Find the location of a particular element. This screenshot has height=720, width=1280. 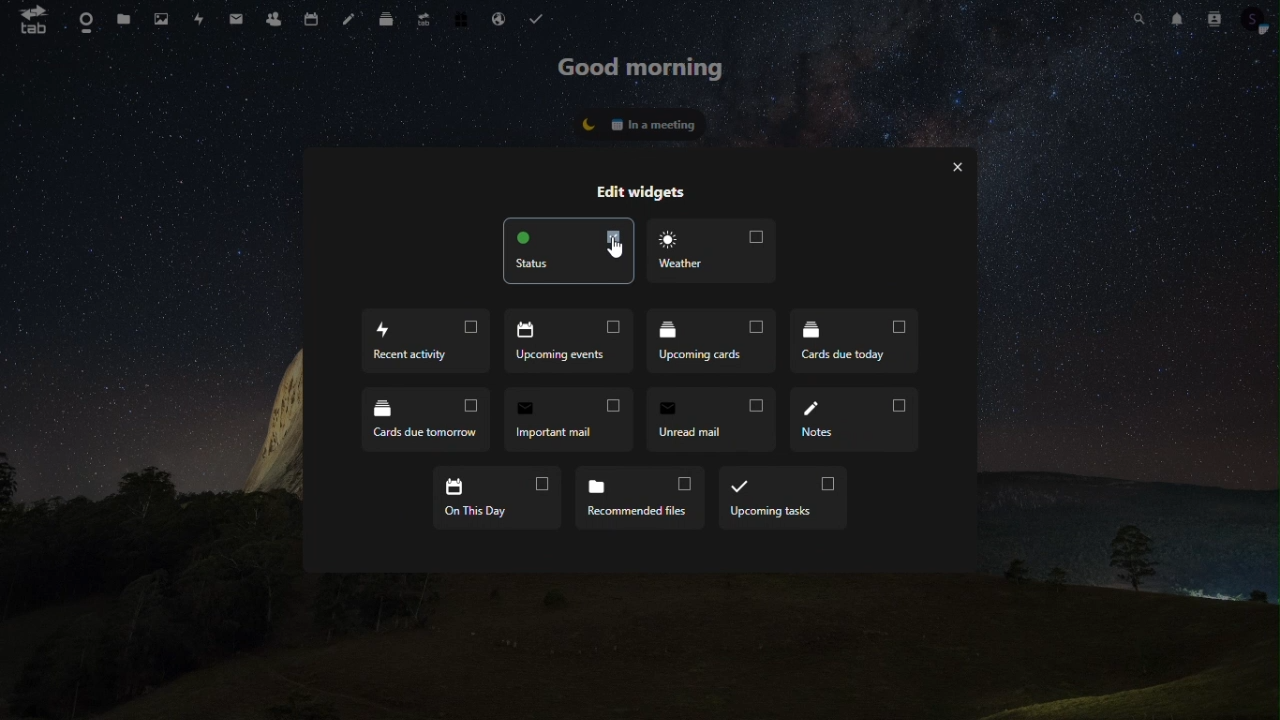

in a meeting is located at coordinates (641, 121).